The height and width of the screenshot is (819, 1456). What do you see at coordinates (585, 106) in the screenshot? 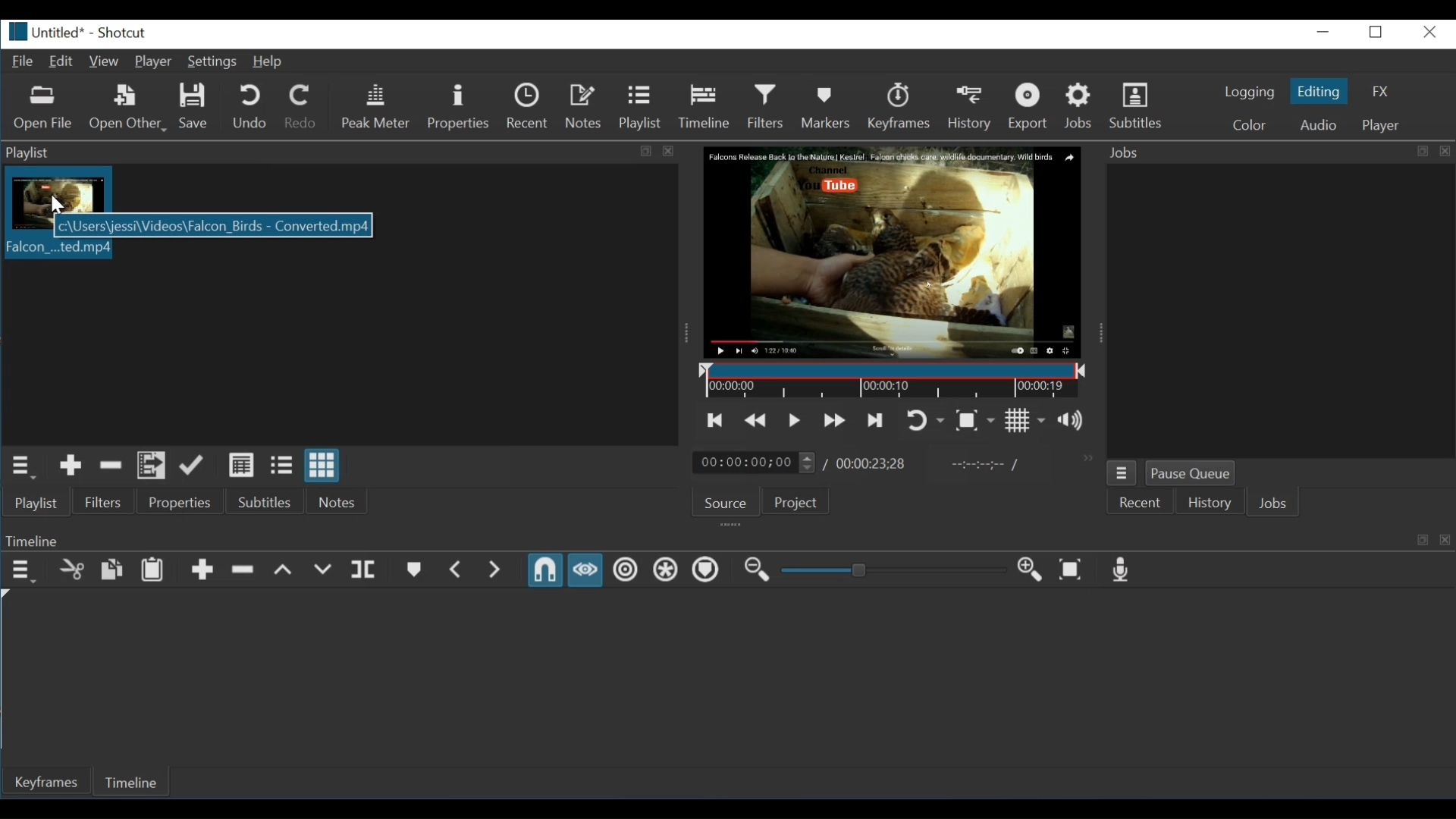
I see `Notes` at bounding box center [585, 106].